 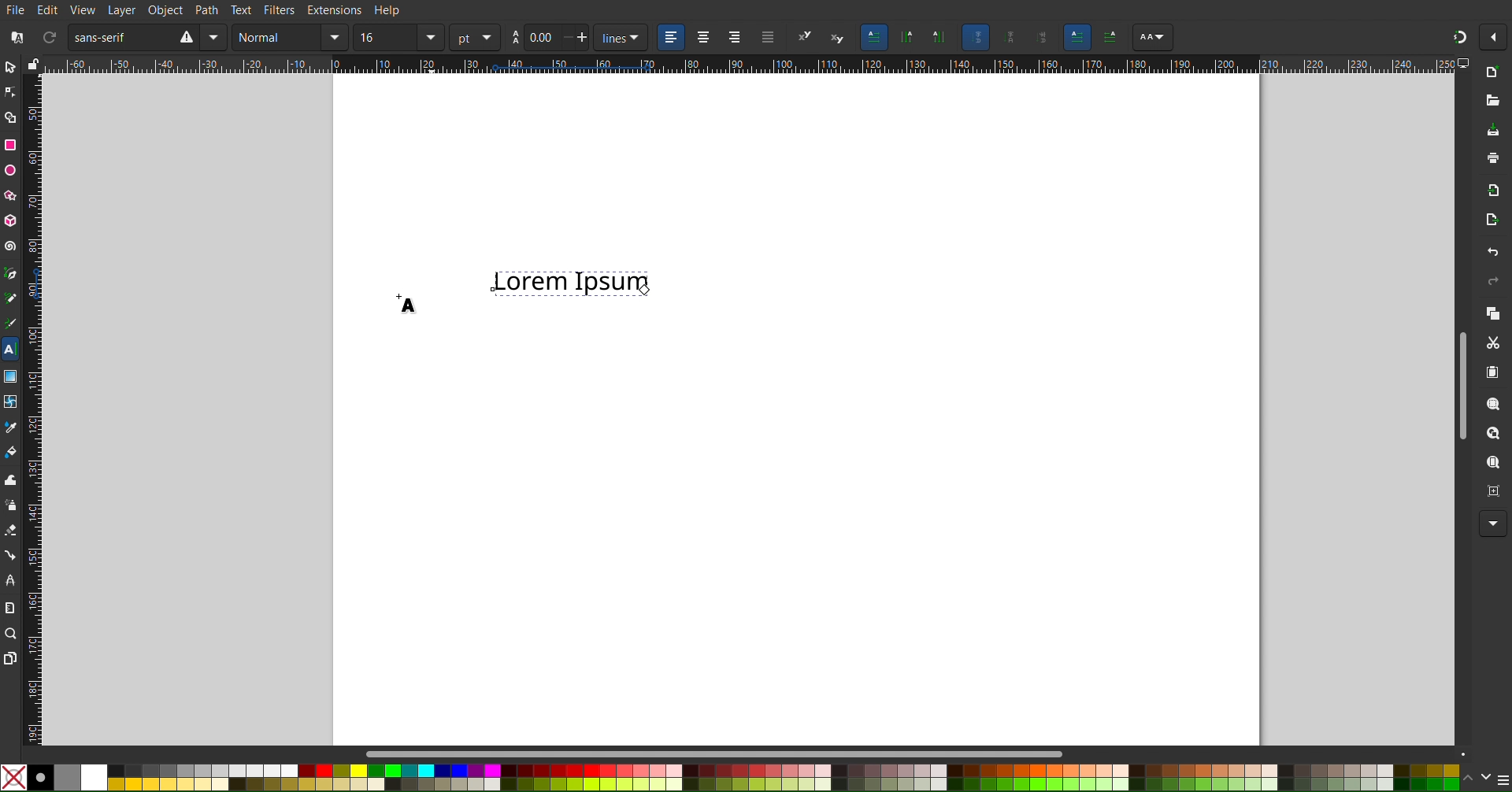 What do you see at coordinates (9, 582) in the screenshot?
I see `LPE Tool` at bounding box center [9, 582].